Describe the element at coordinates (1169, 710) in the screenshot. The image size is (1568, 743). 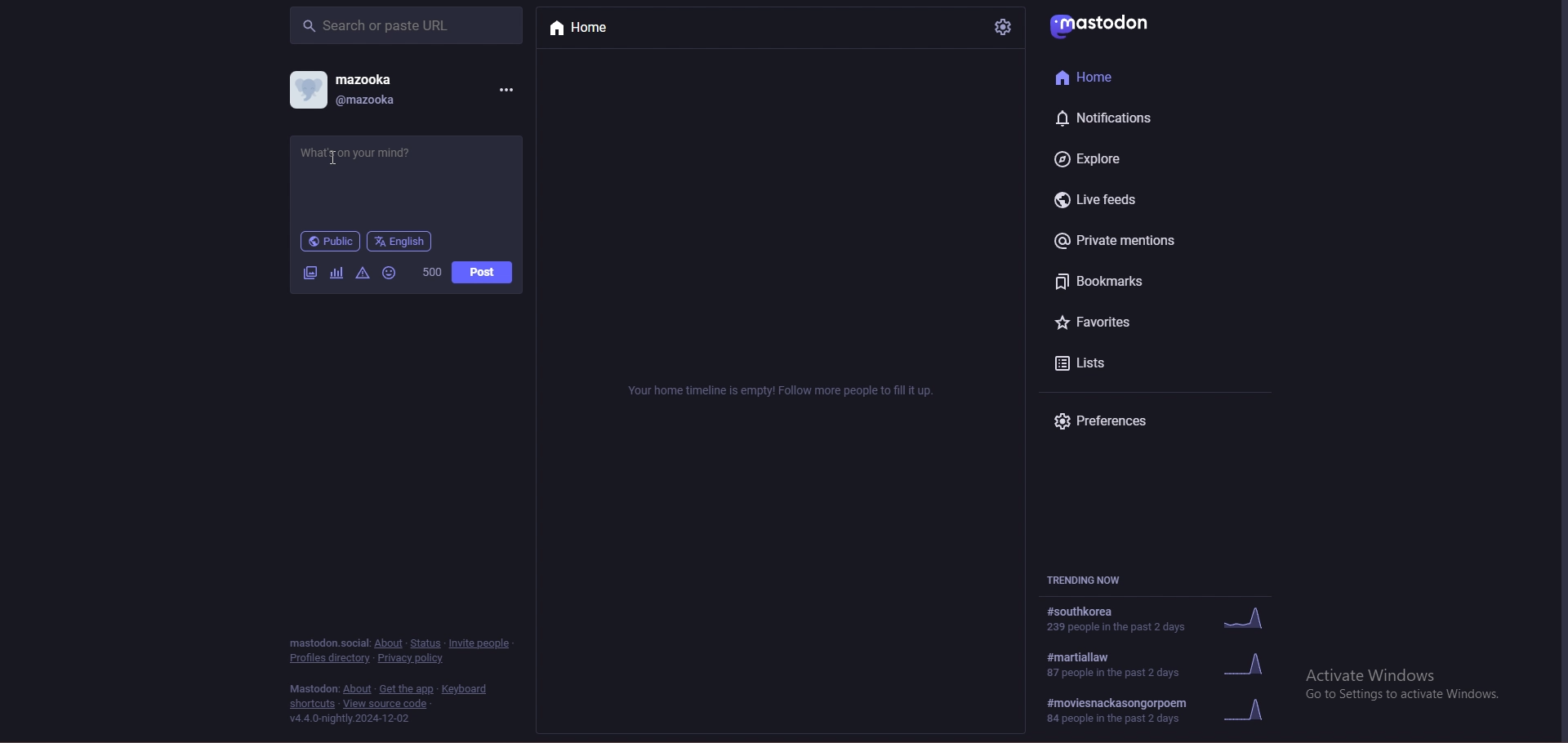
I see `trend` at that location.